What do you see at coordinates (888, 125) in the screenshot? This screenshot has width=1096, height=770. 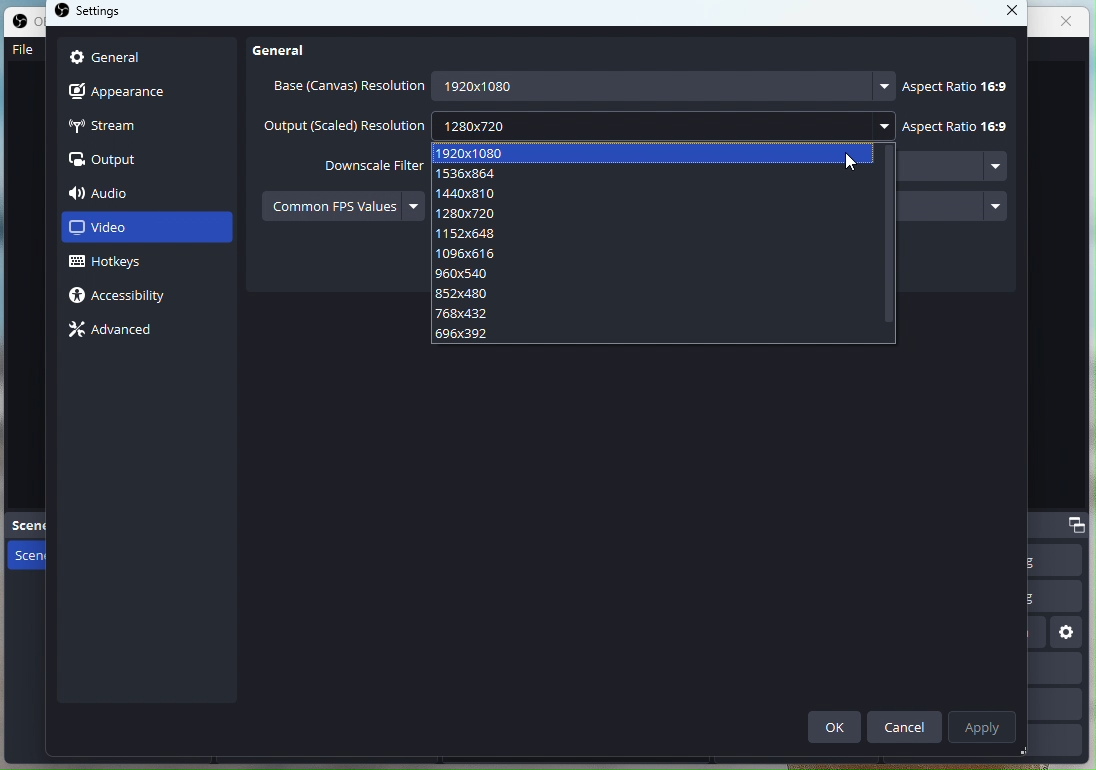 I see `more options` at bounding box center [888, 125].